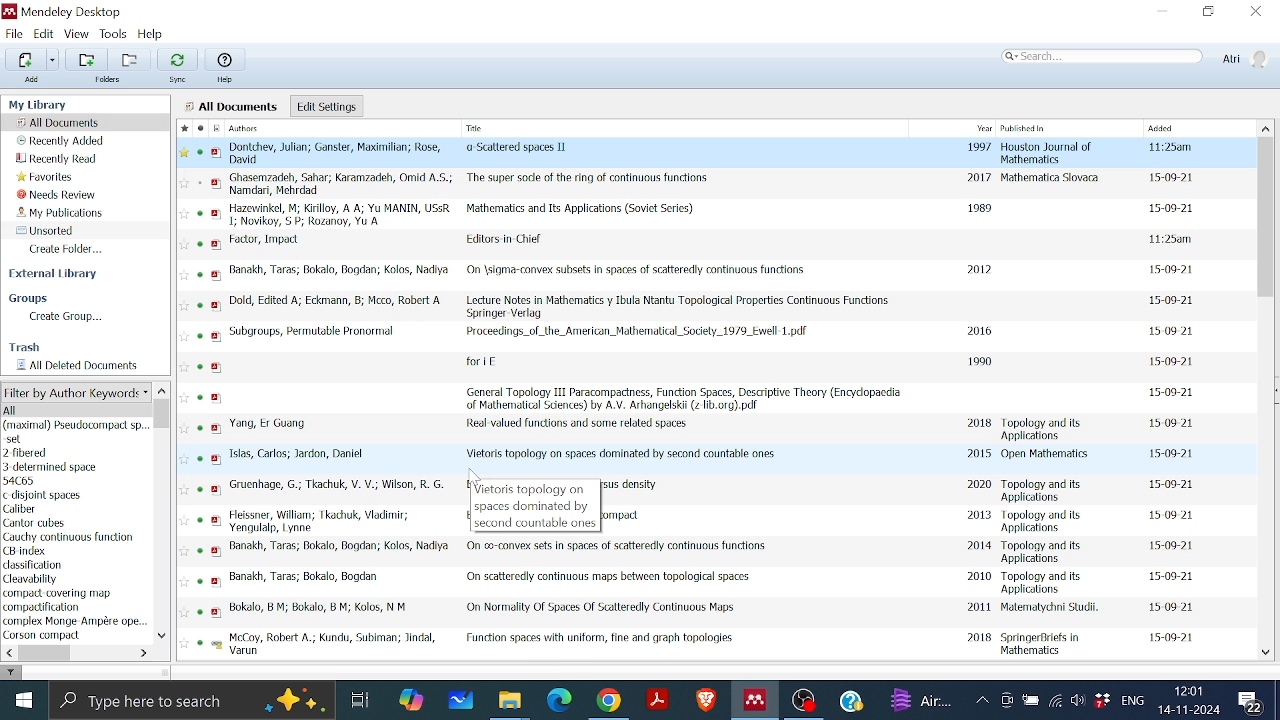 The image size is (1280, 720). Describe the element at coordinates (186, 306) in the screenshot. I see `Favourite` at that location.